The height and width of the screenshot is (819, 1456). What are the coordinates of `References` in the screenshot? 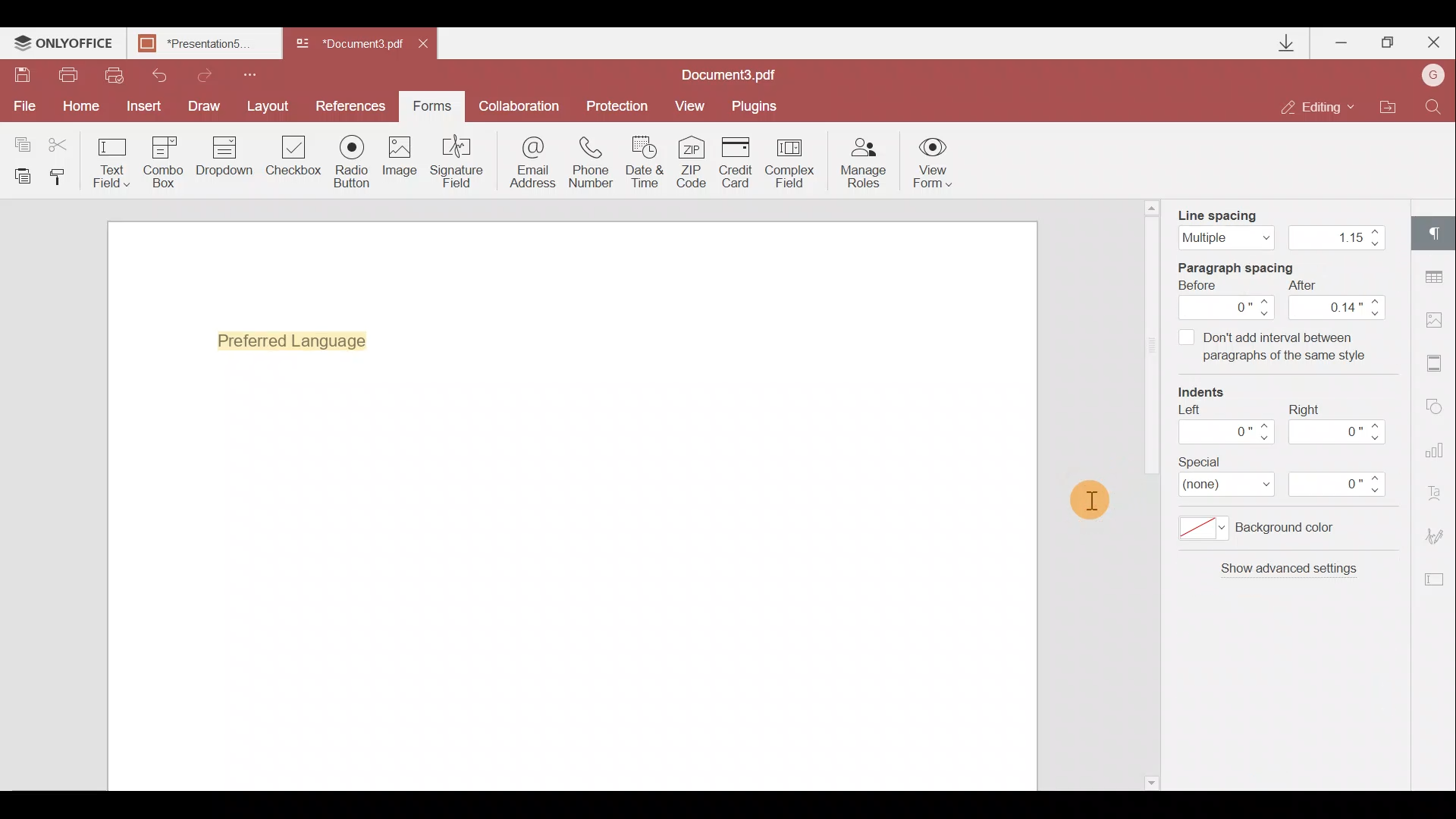 It's located at (353, 105).